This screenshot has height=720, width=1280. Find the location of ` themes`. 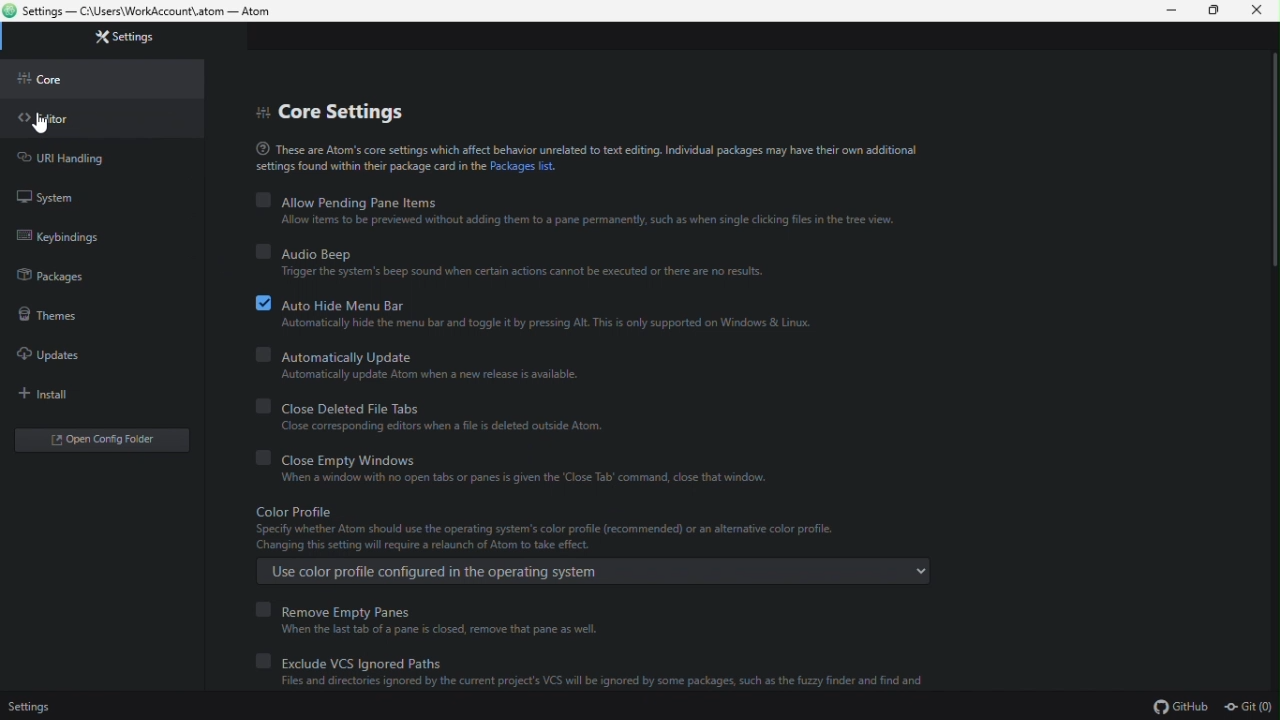

 themes is located at coordinates (55, 318).